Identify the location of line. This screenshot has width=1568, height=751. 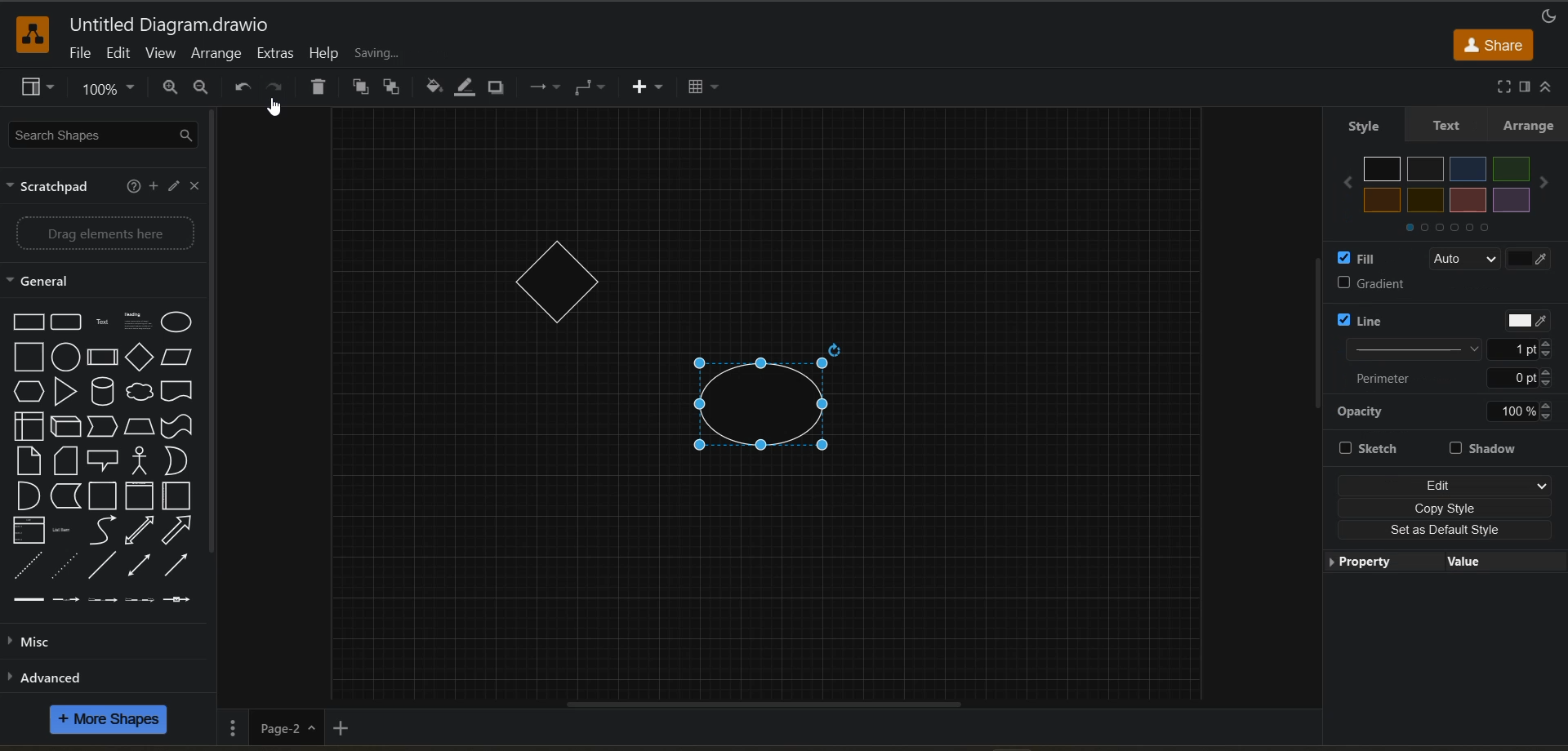
(105, 567).